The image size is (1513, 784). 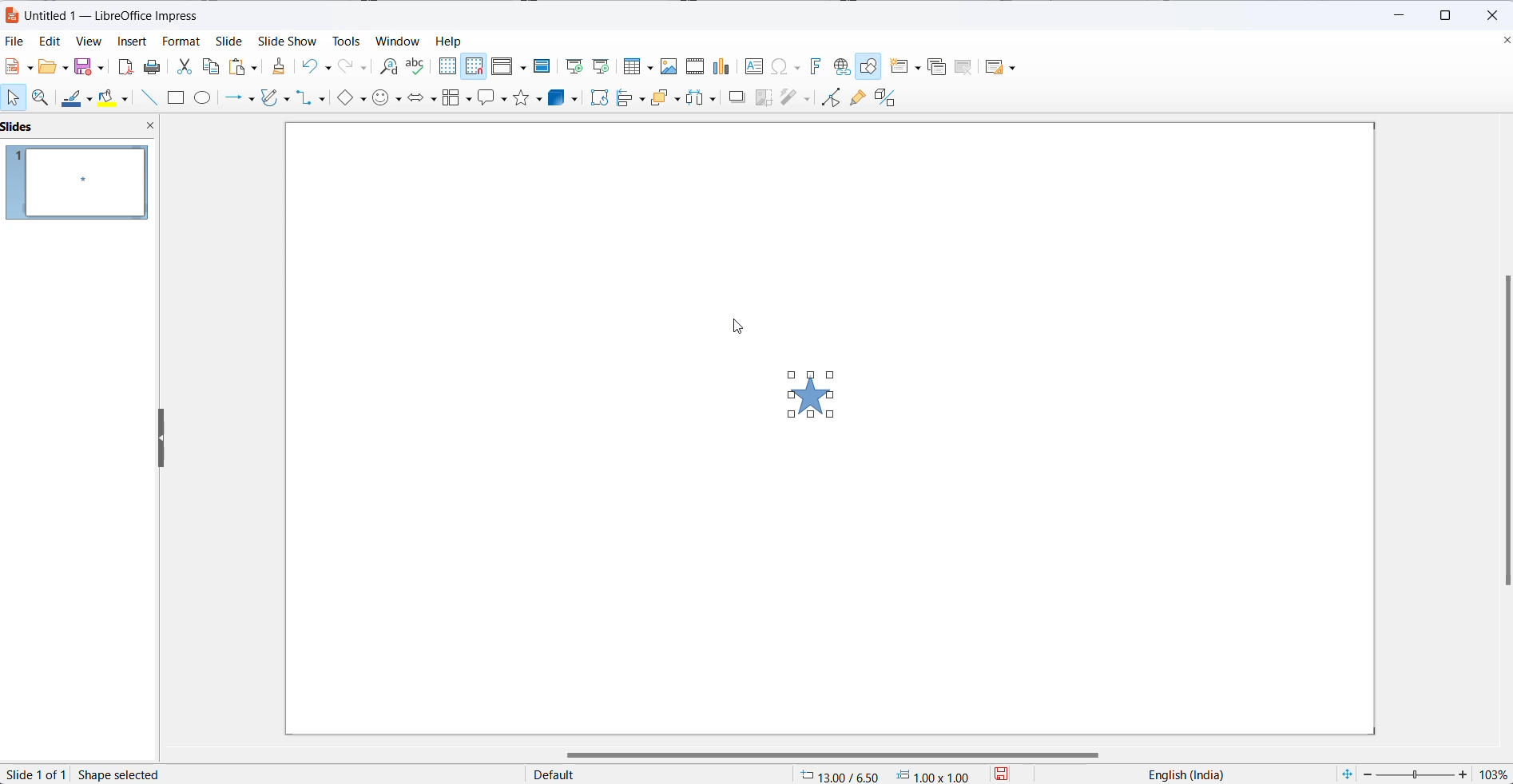 What do you see at coordinates (722, 68) in the screenshot?
I see `insert chart` at bounding box center [722, 68].